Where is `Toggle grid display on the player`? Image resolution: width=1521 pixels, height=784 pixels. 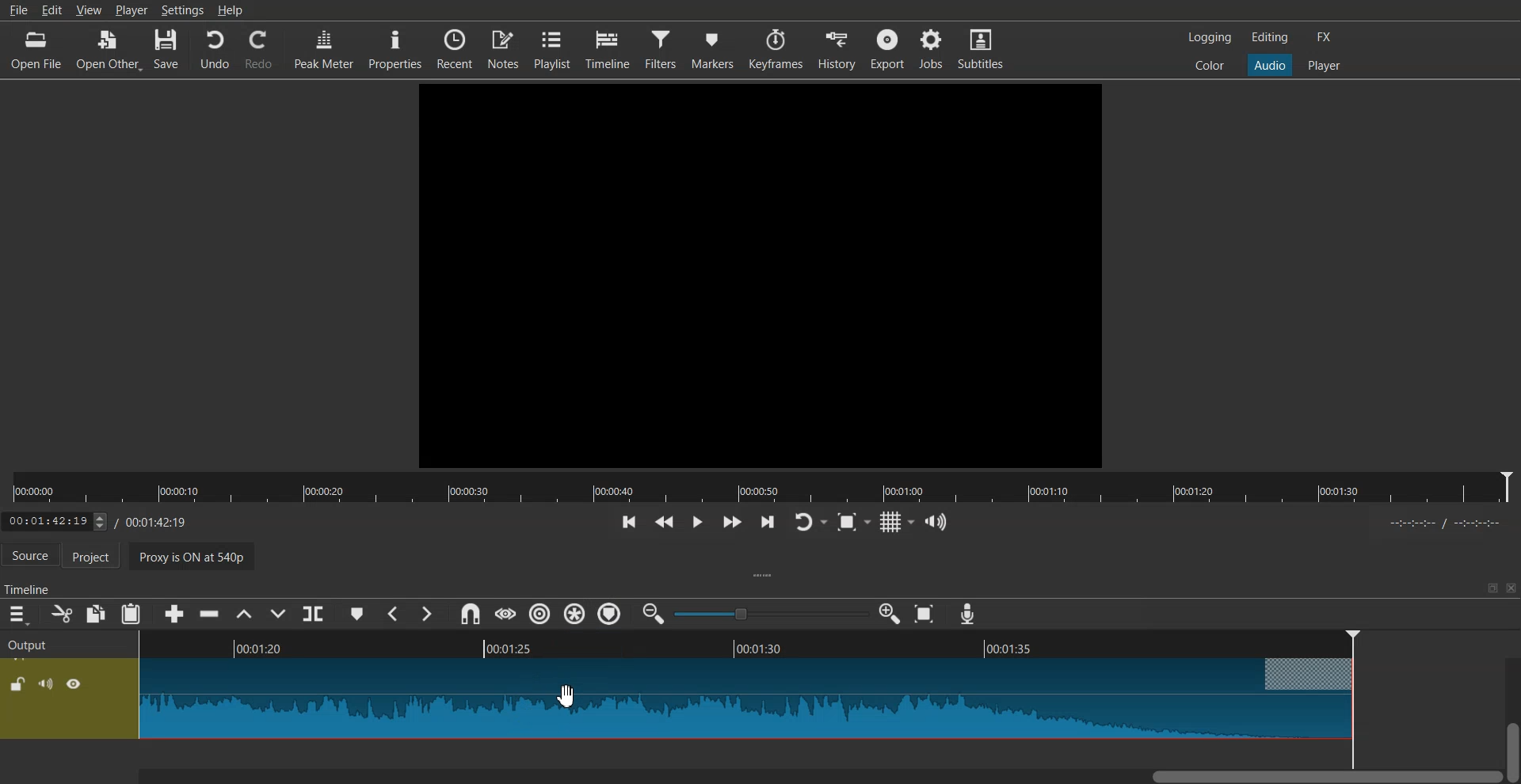
Toggle grid display on the player is located at coordinates (898, 520).